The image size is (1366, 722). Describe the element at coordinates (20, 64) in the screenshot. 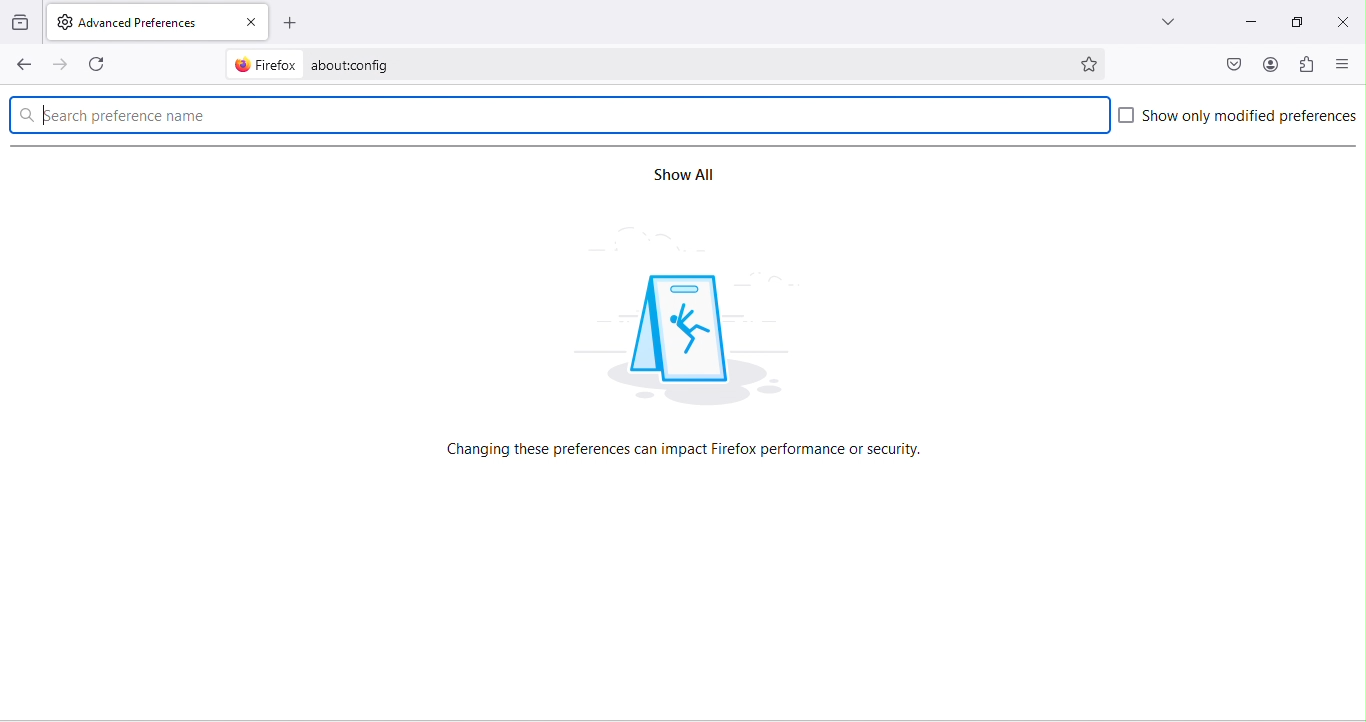

I see `back` at that location.